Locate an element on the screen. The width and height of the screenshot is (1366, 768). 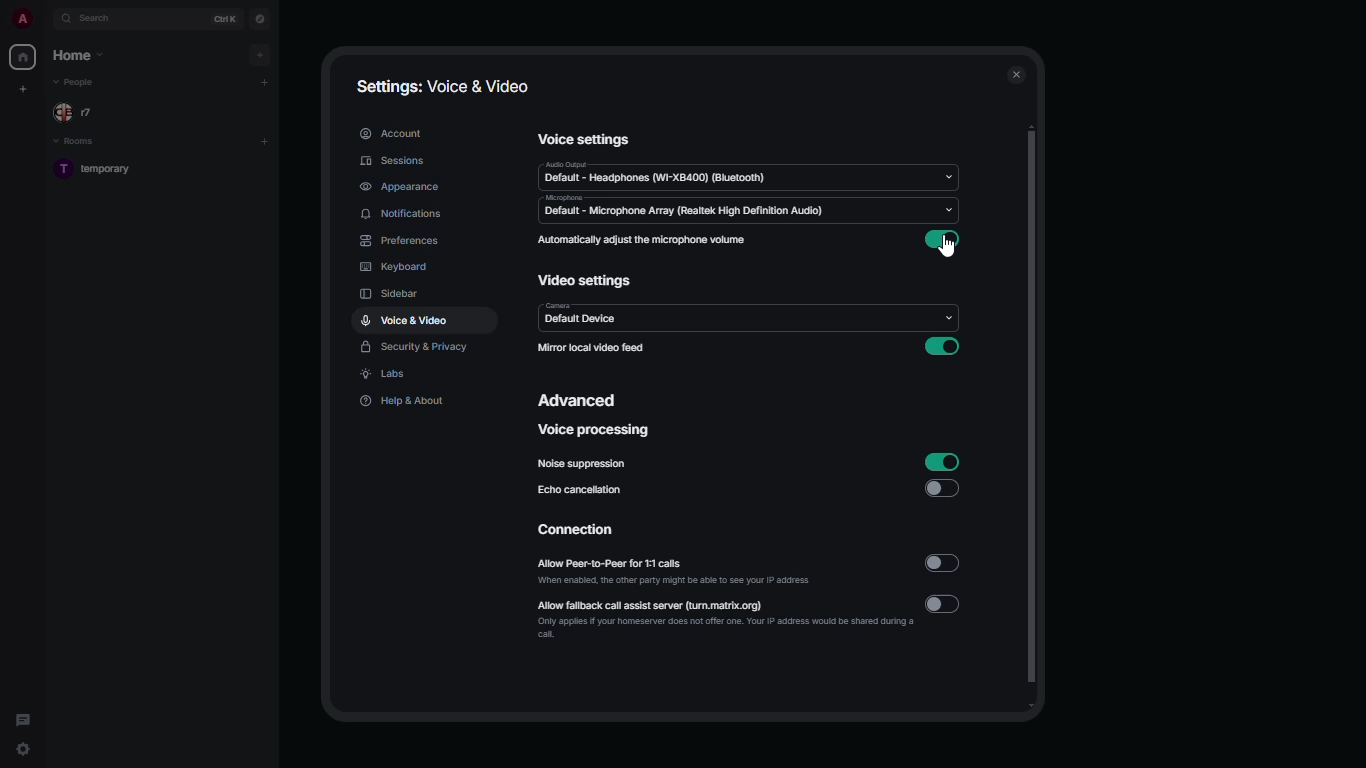
voice settings is located at coordinates (580, 138).